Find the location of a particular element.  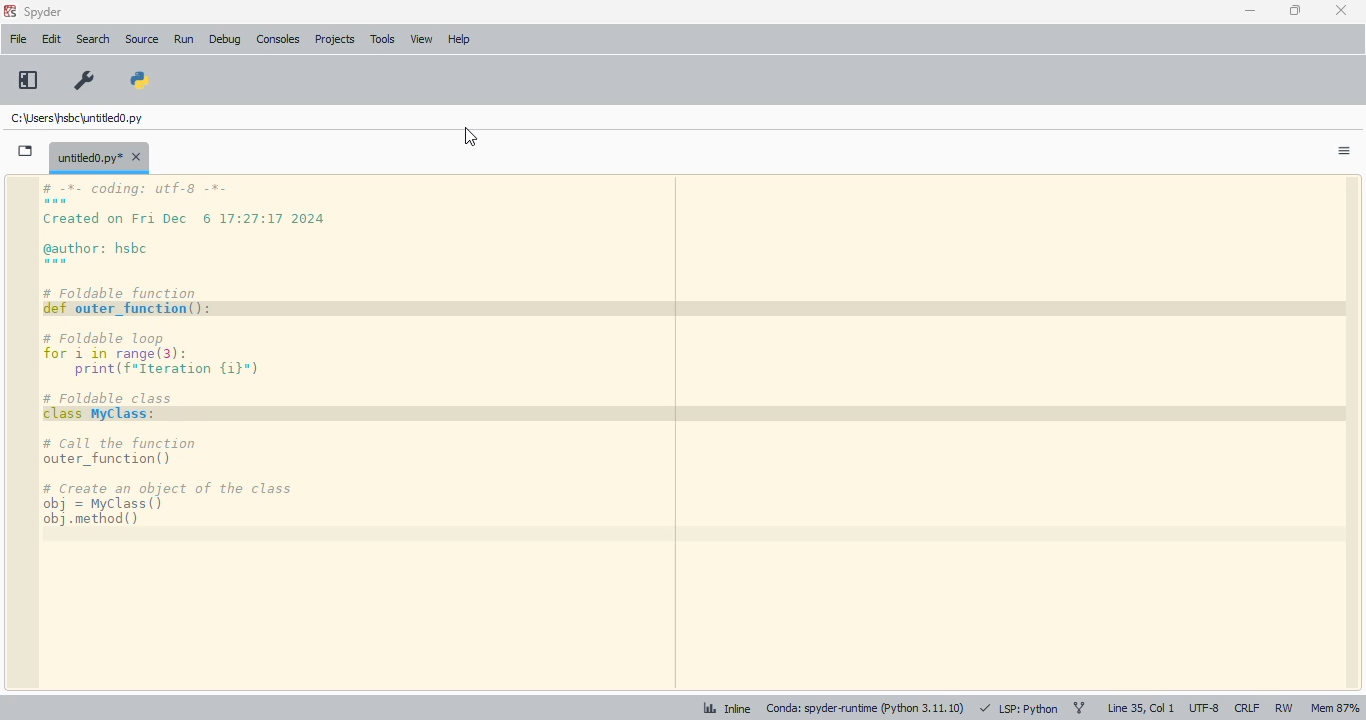

projects is located at coordinates (336, 40).